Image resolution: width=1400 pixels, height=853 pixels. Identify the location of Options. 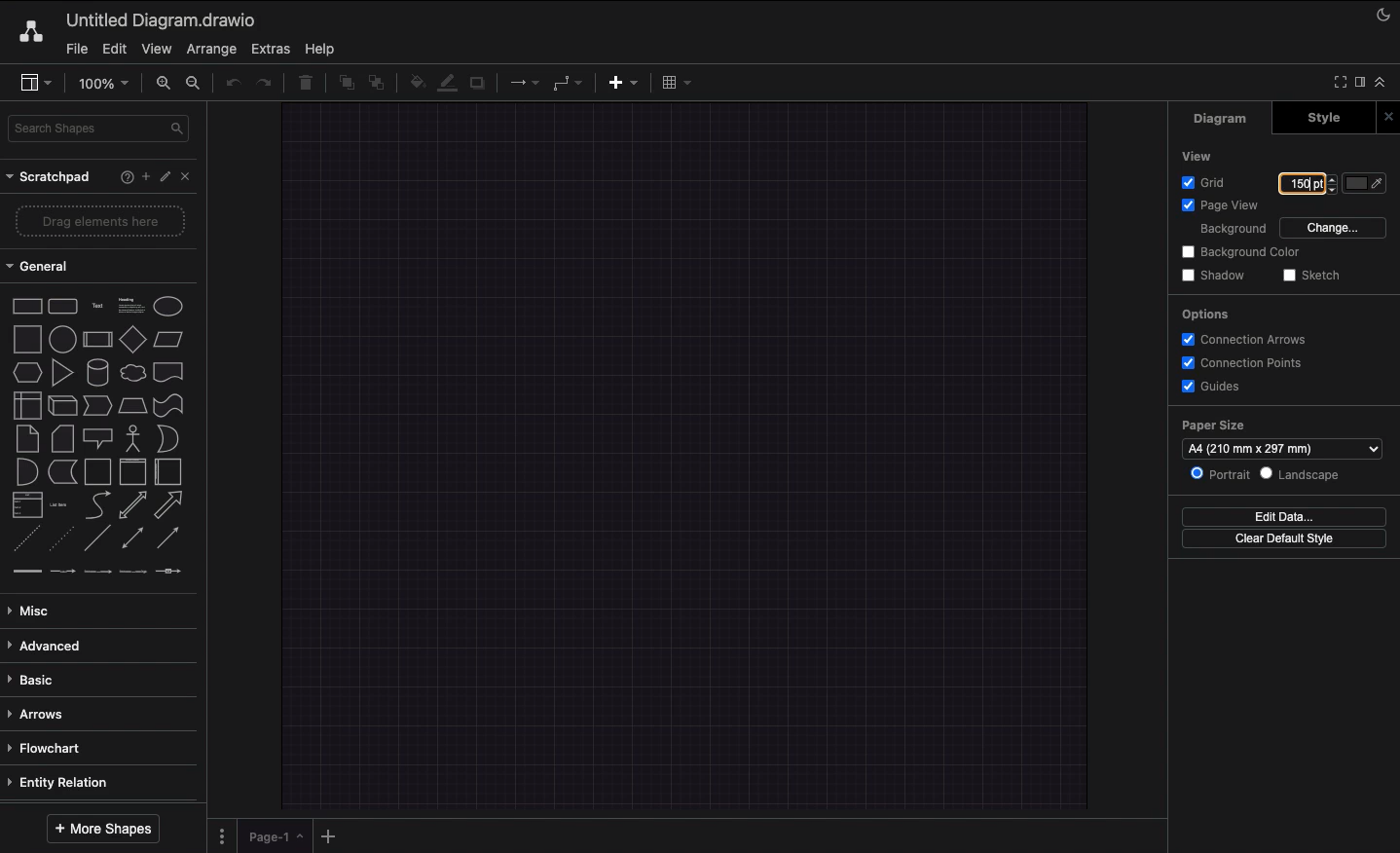
(1206, 315).